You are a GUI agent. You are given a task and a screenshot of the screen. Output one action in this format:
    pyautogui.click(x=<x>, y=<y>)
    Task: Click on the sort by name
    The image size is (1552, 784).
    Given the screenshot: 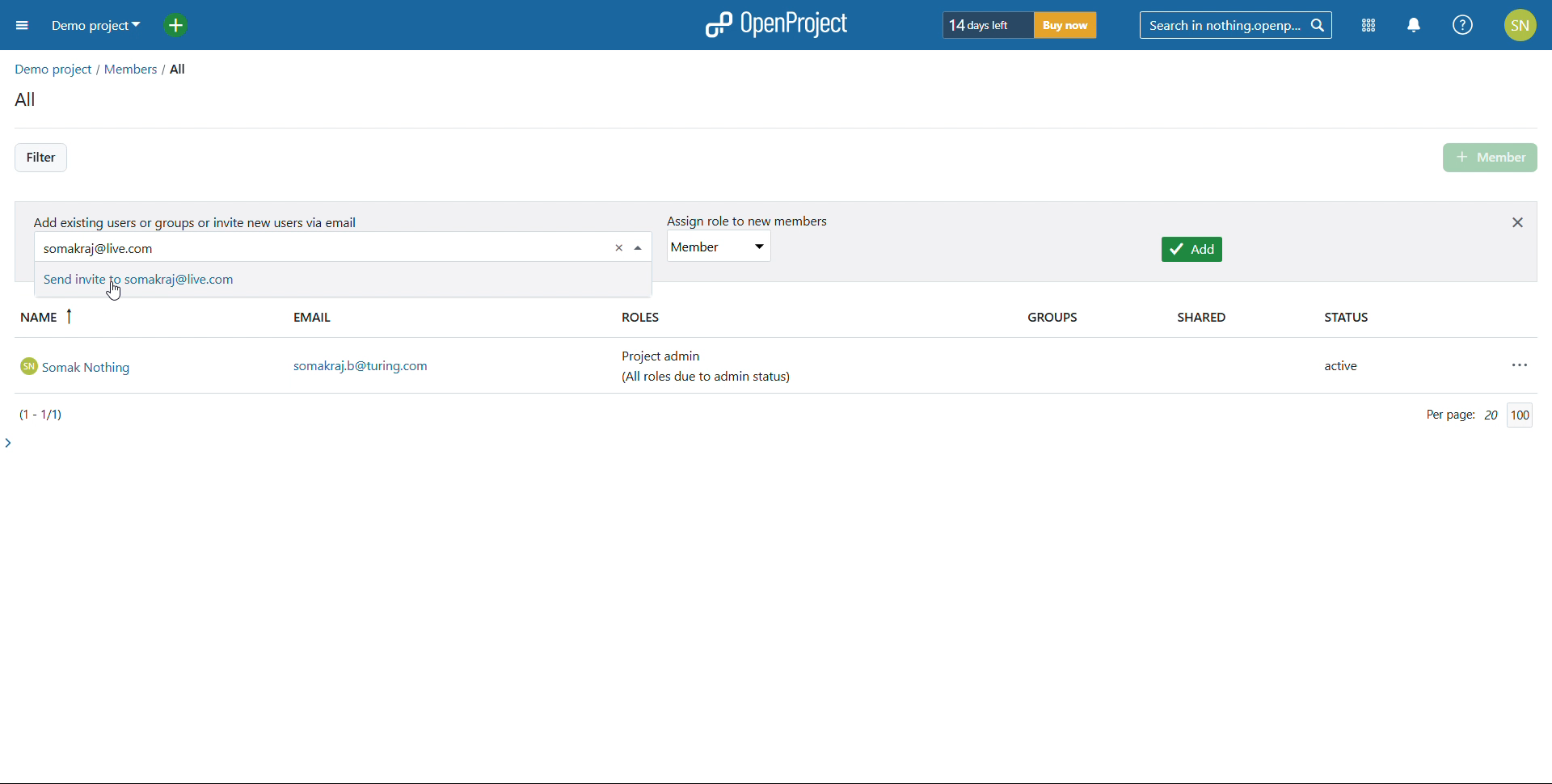 What is the action you would take?
    pyautogui.click(x=149, y=318)
    